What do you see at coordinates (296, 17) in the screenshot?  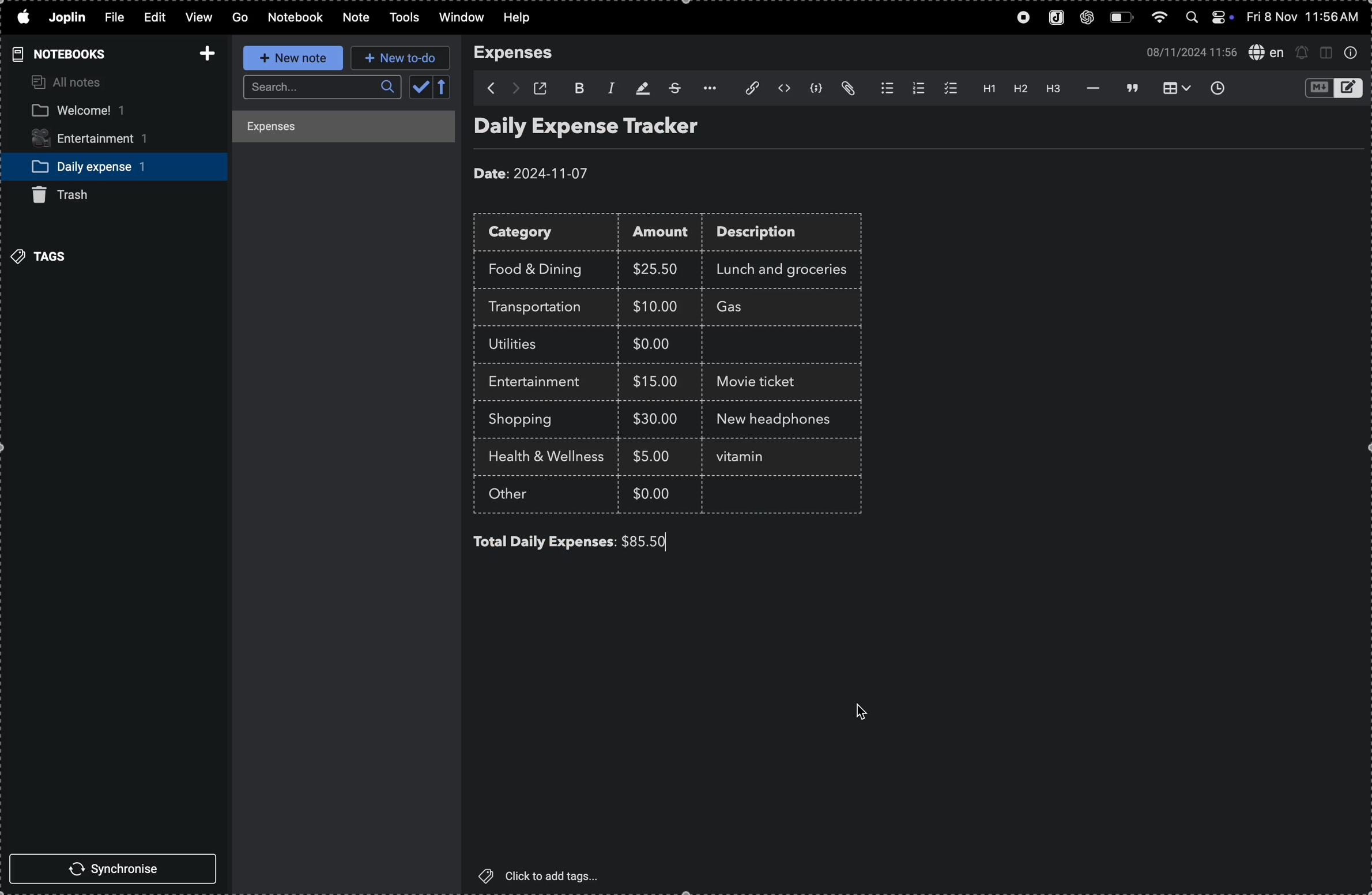 I see `notebook` at bounding box center [296, 17].